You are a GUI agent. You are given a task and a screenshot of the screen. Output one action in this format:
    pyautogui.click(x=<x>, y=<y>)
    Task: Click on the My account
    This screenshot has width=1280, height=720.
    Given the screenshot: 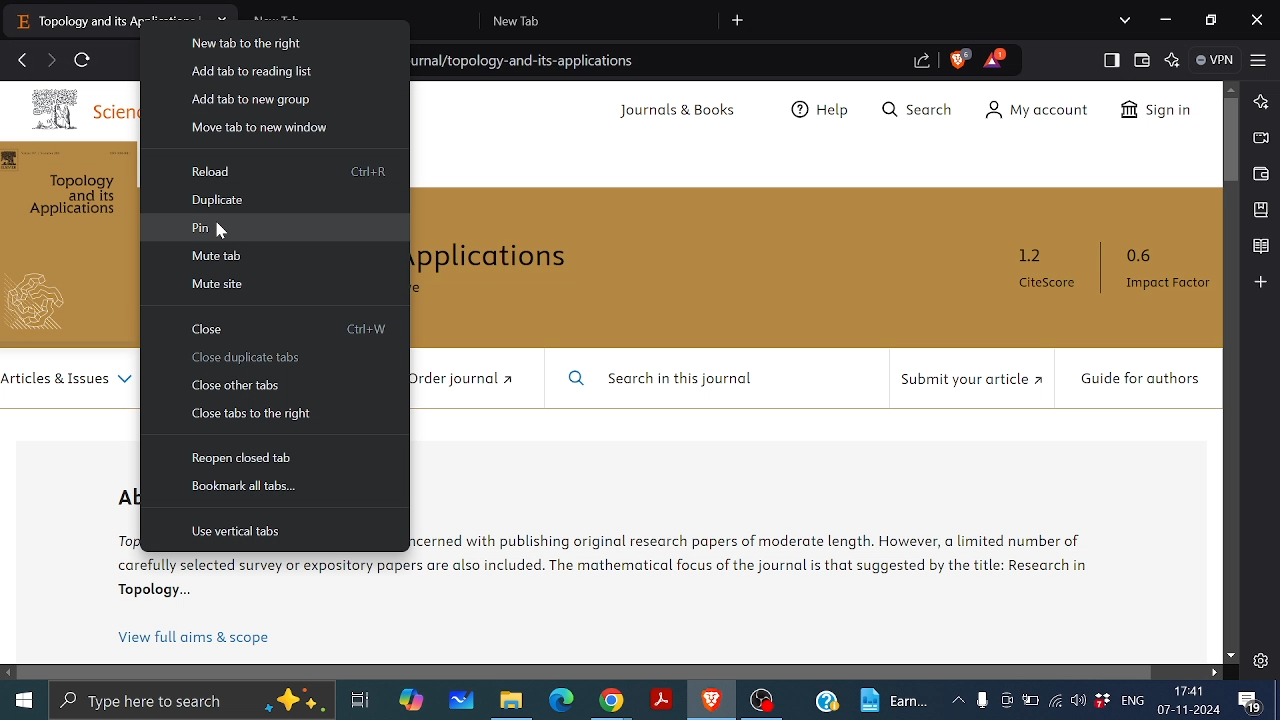 What is the action you would take?
    pyautogui.click(x=1044, y=110)
    